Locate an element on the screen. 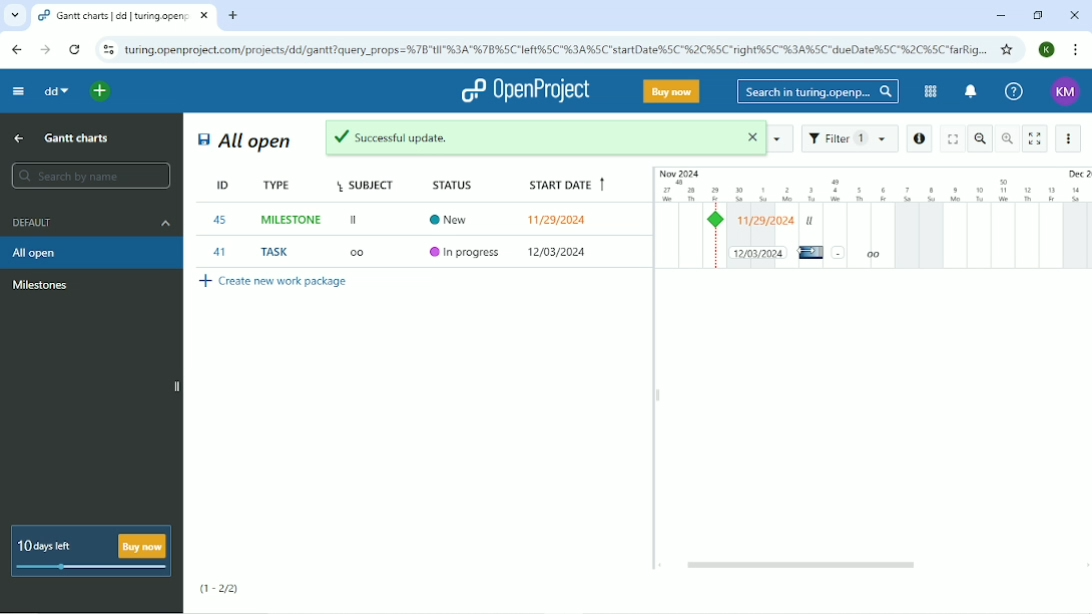 The height and width of the screenshot is (614, 1092). Milestone start date is located at coordinates (767, 221).